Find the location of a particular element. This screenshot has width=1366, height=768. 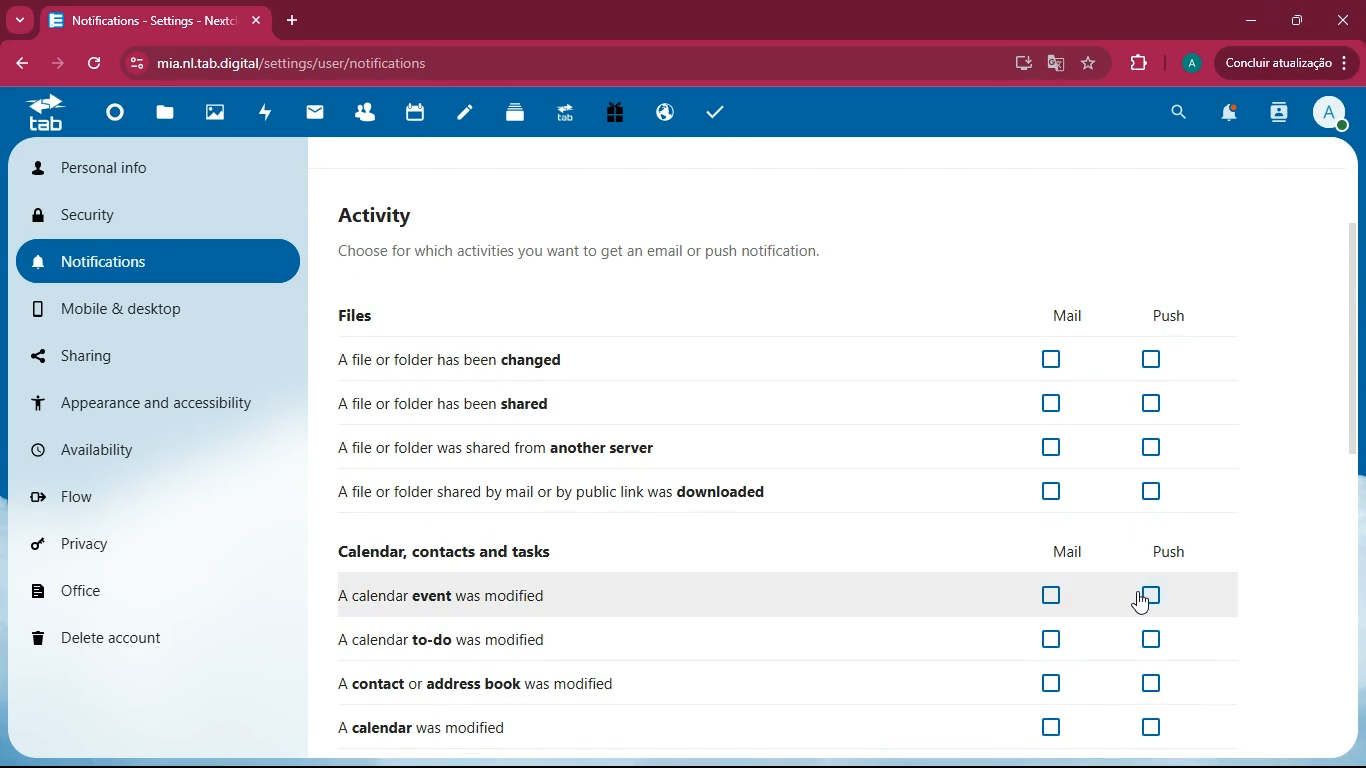

notifications is located at coordinates (160, 258).